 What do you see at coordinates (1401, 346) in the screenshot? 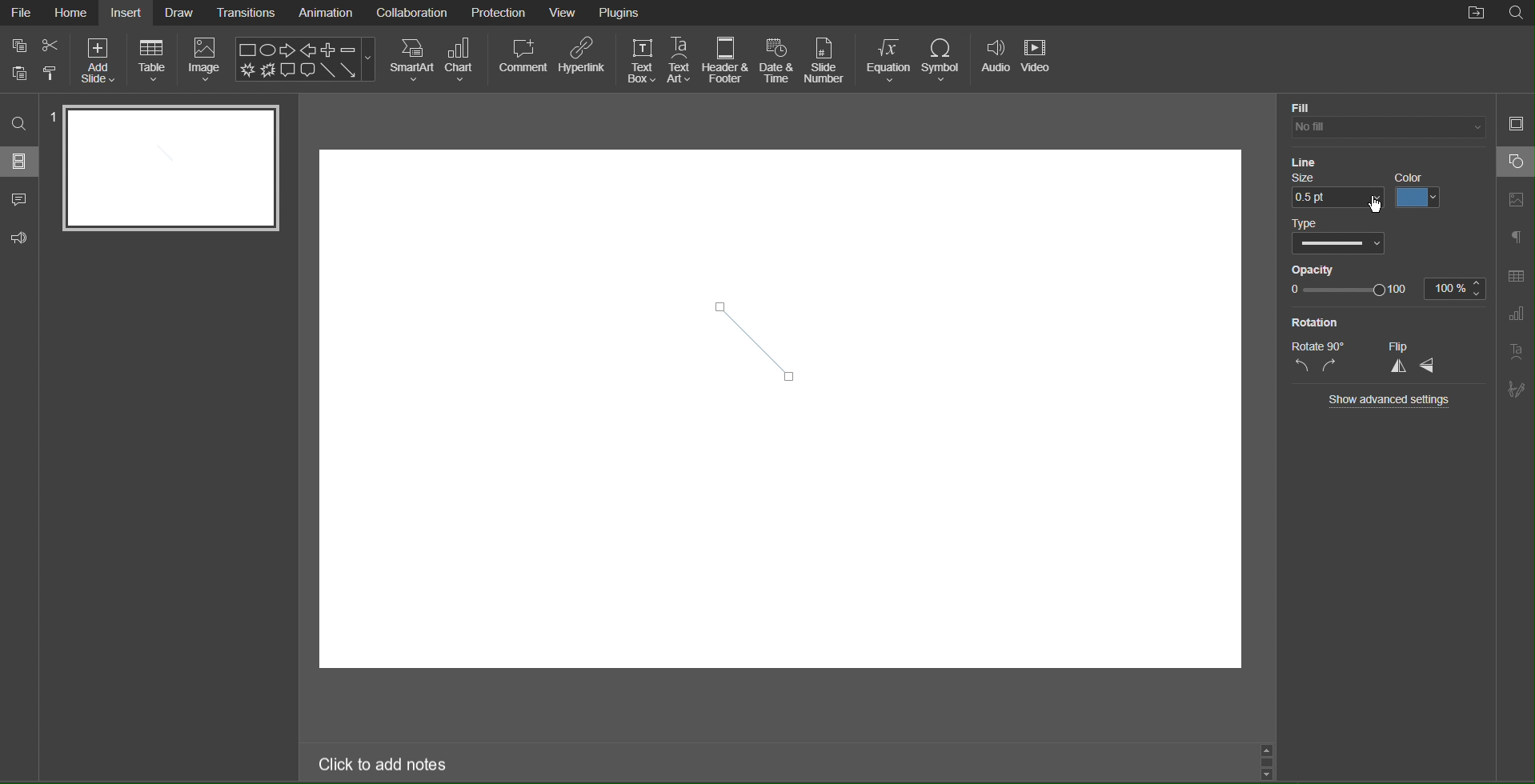
I see `Flip` at bounding box center [1401, 346].